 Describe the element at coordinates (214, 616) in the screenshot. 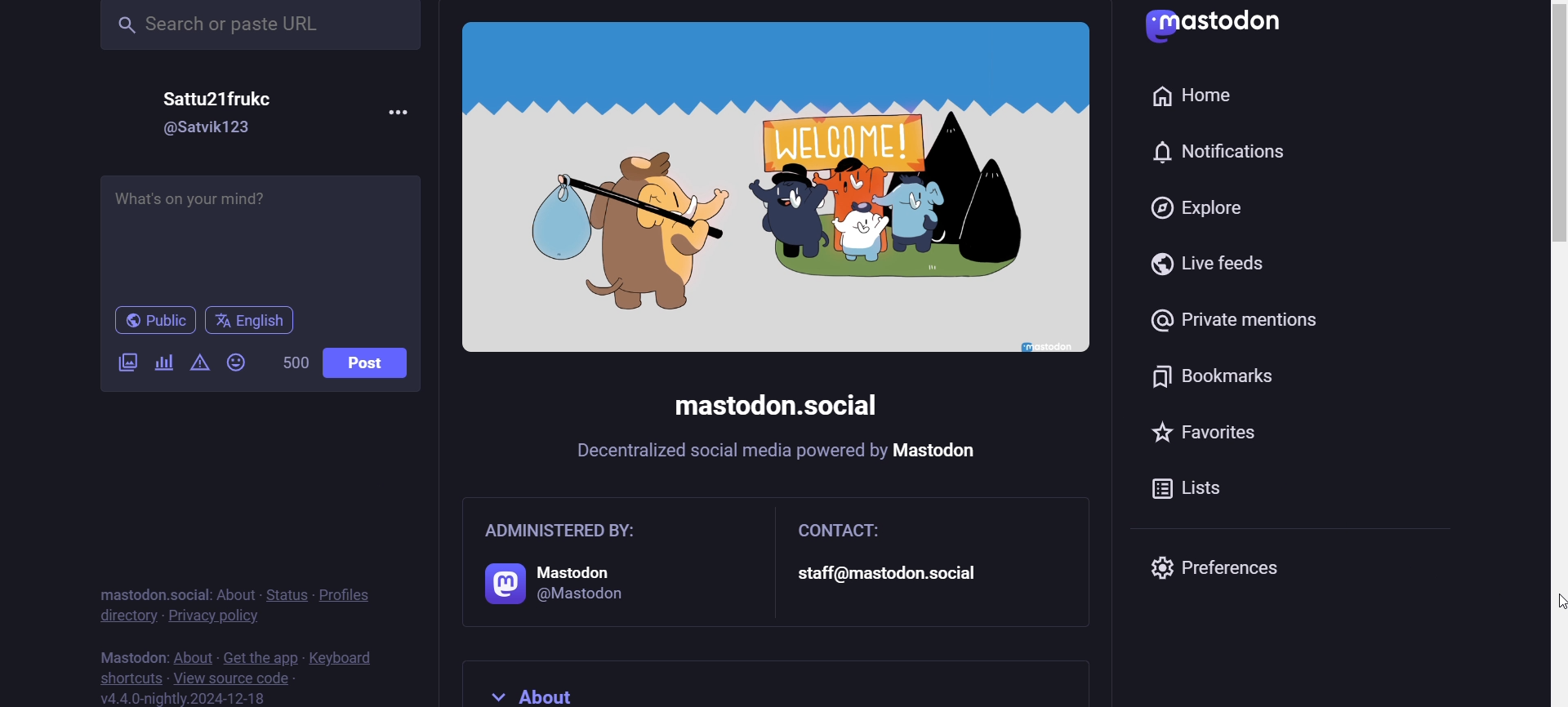

I see `privacy policy` at that location.